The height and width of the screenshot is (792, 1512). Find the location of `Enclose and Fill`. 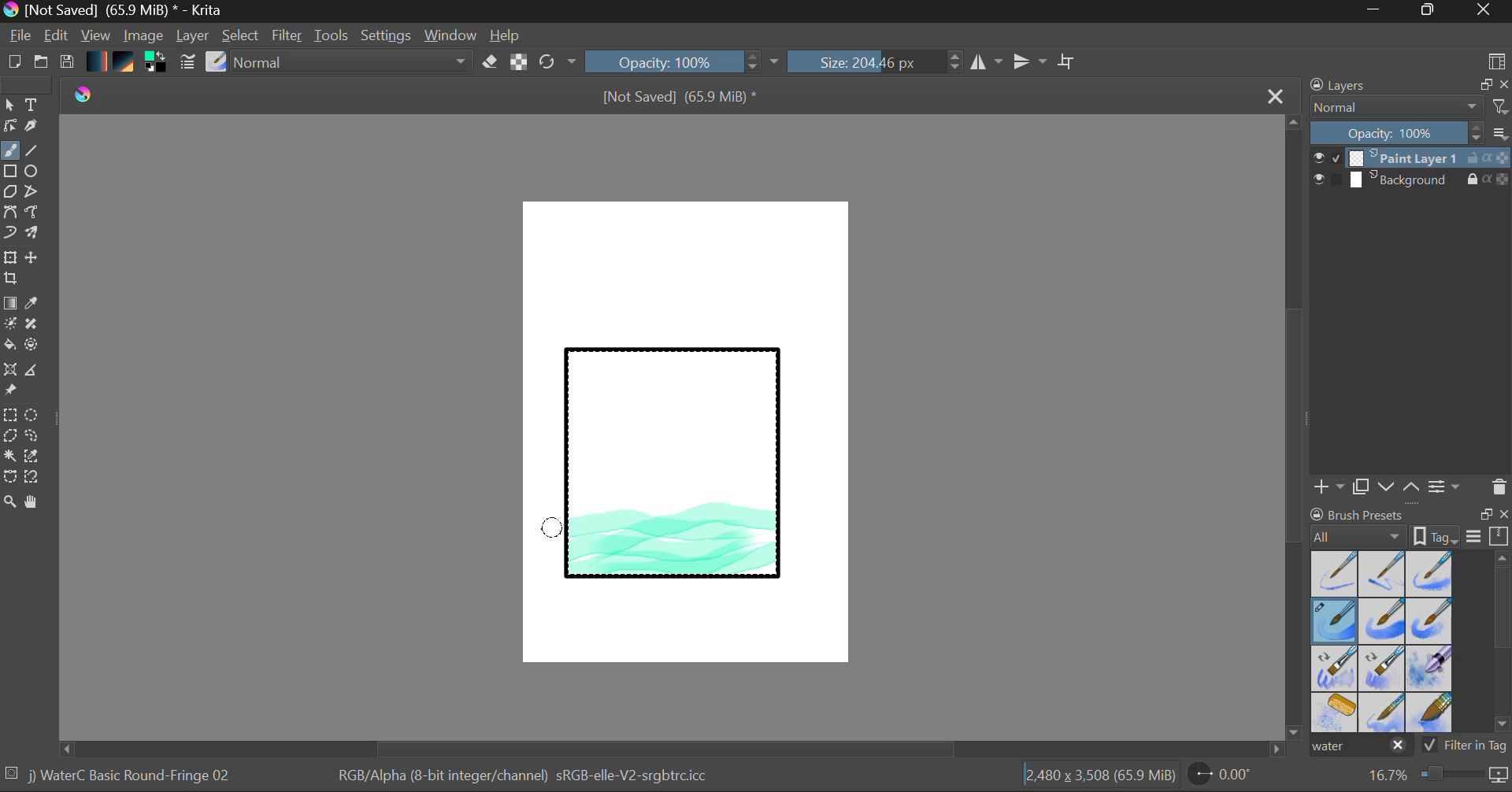

Enclose and Fill is located at coordinates (35, 346).